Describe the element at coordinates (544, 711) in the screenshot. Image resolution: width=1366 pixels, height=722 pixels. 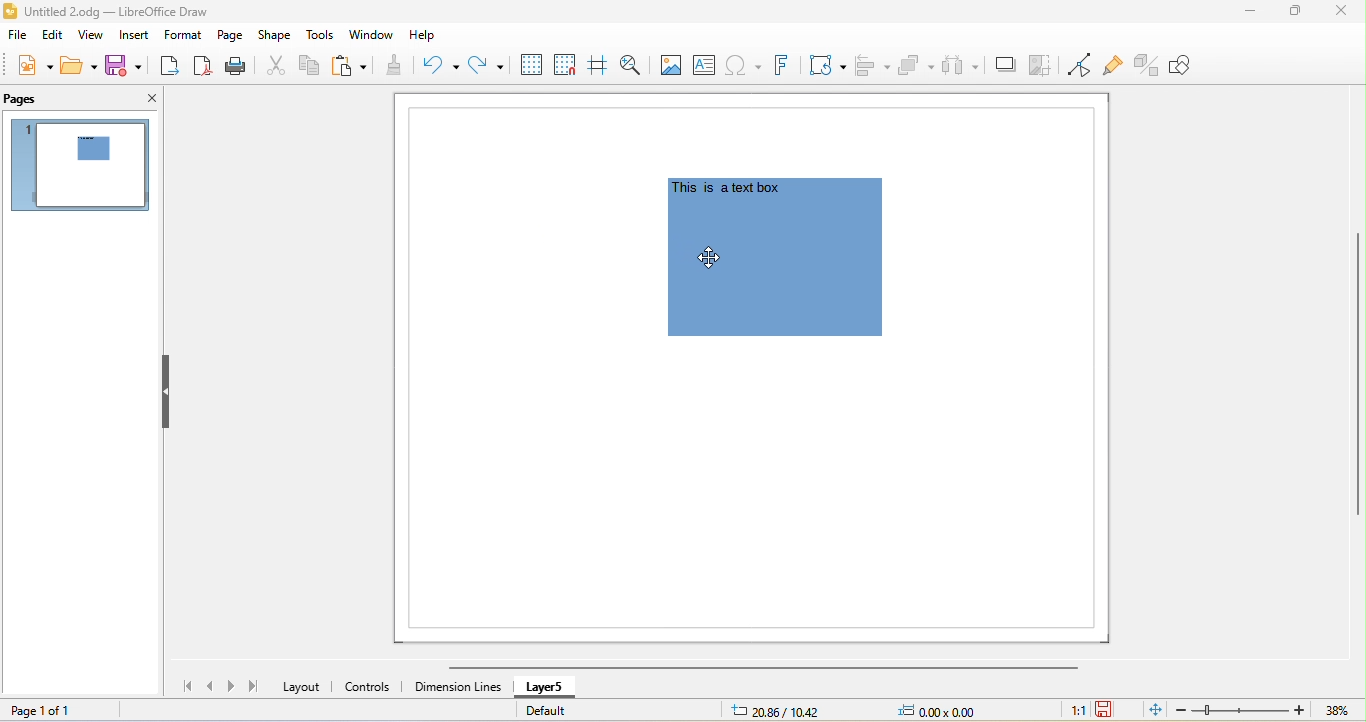
I see `default` at that location.